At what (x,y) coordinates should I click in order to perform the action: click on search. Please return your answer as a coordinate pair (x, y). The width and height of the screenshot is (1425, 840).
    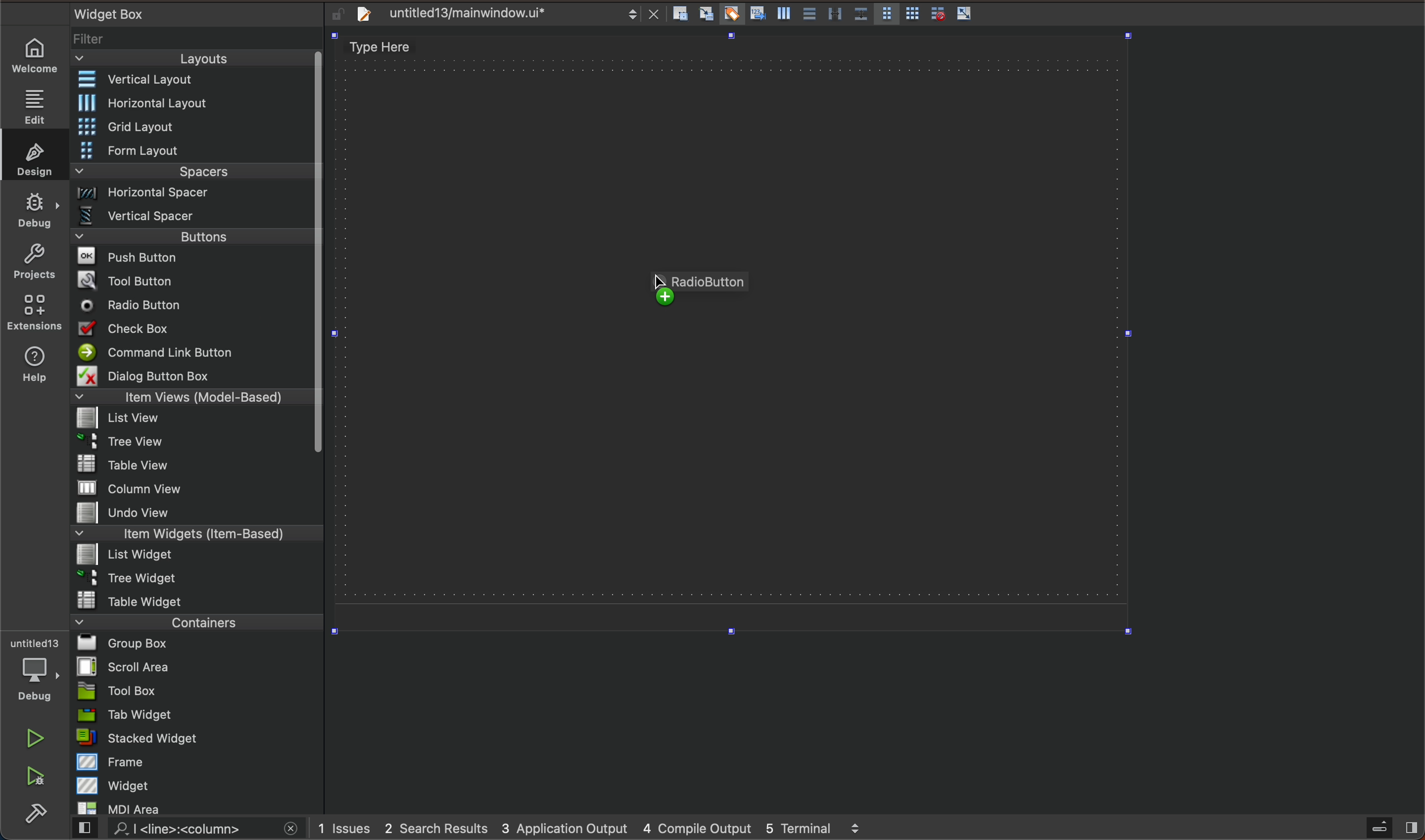
    Looking at the image, I should click on (183, 829).